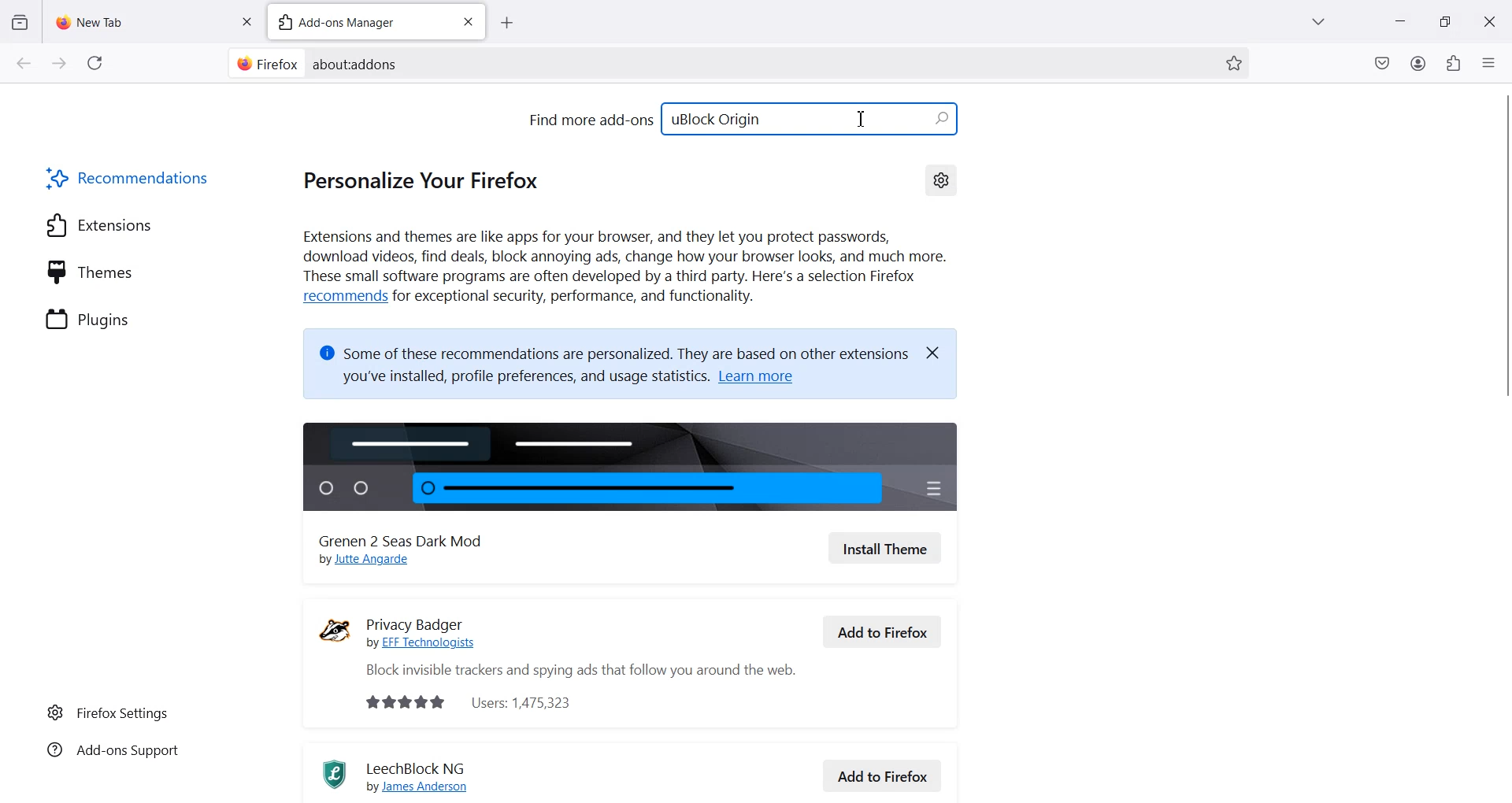 This screenshot has width=1512, height=803. What do you see at coordinates (589, 119) in the screenshot?
I see `Find more add-ons` at bounding box center [589, 119].